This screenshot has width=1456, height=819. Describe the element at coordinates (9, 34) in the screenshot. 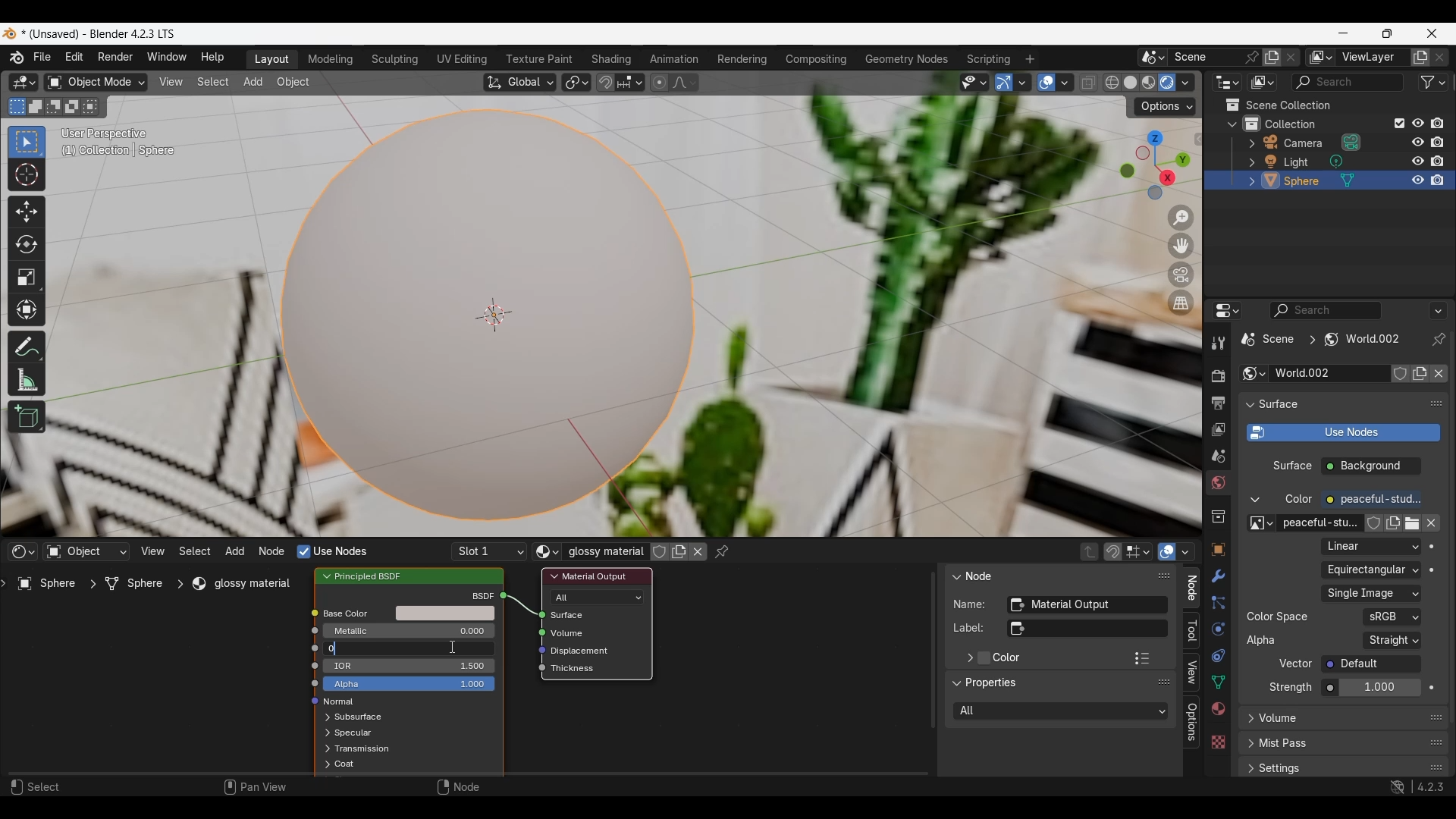

I see `Software logo` at that location.